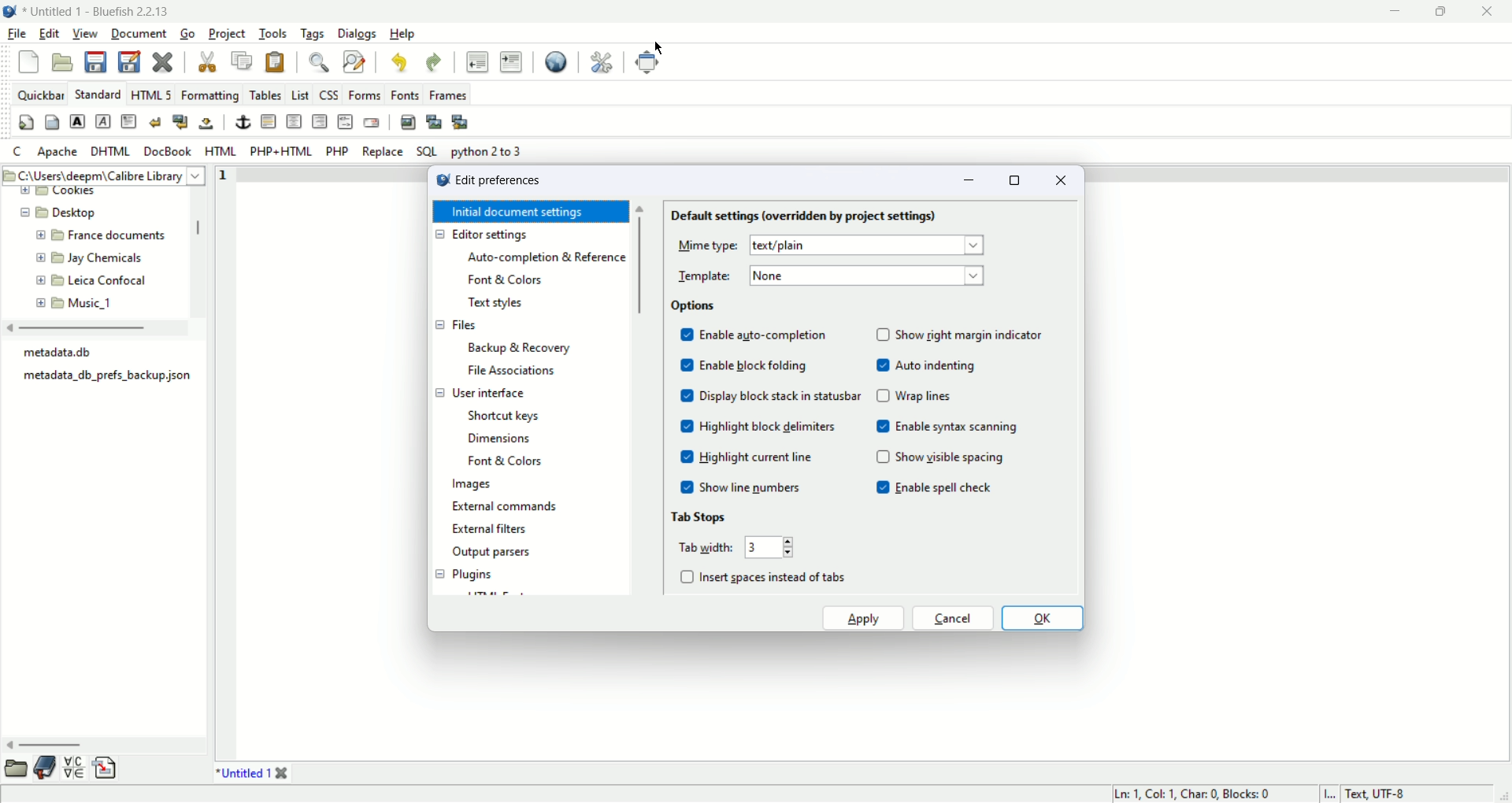  I want to click on paste, so click(276, 62).